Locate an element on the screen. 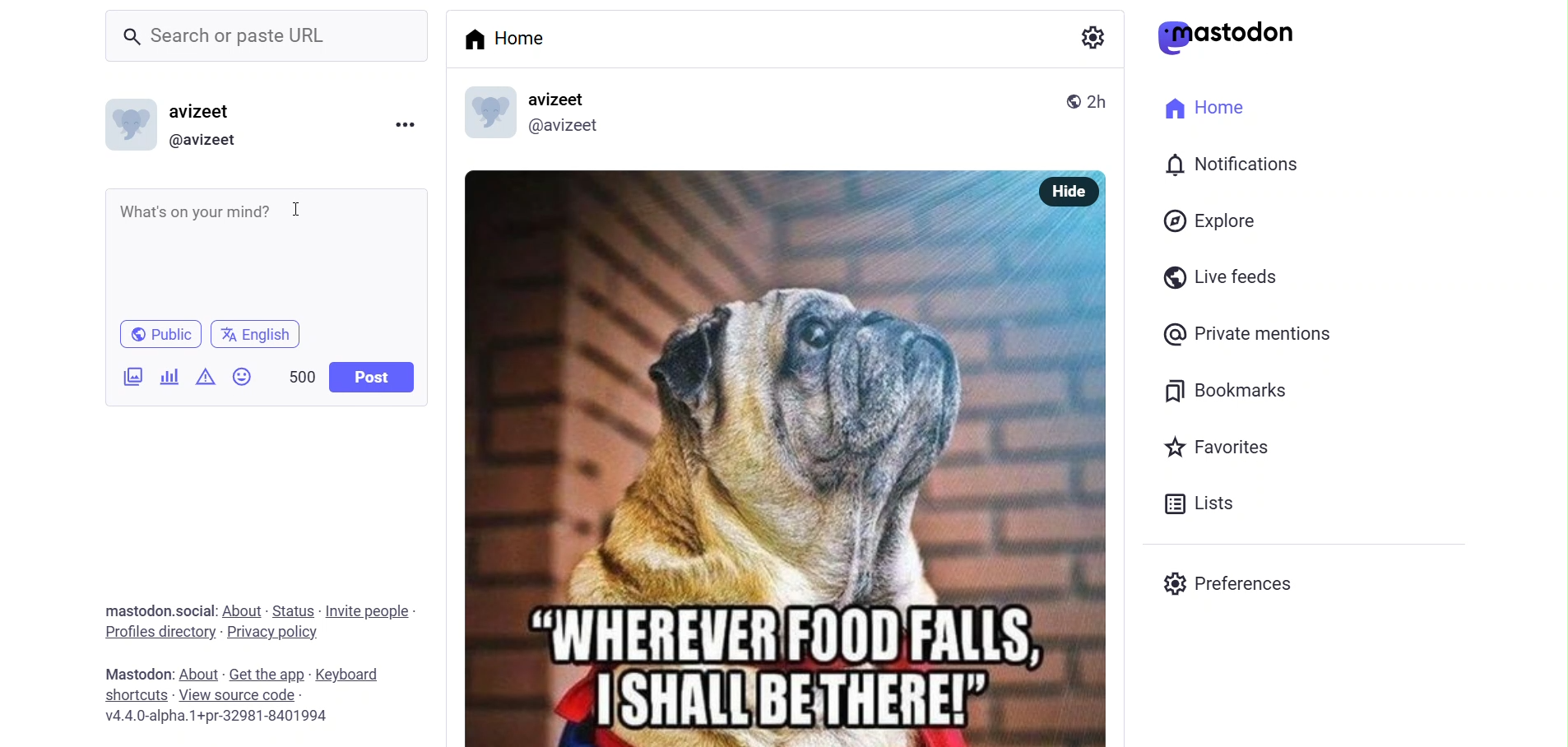  text is located at coordinates (137, 610).